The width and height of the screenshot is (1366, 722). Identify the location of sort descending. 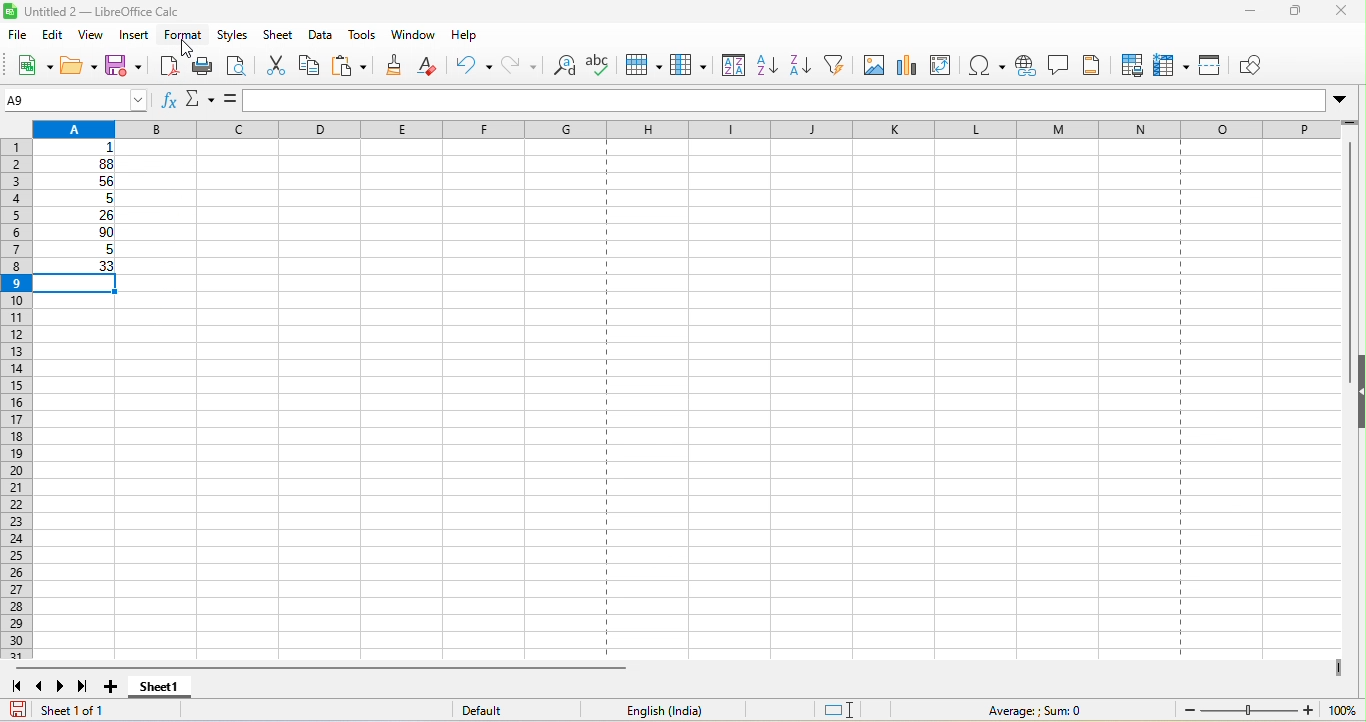
(804, 64).